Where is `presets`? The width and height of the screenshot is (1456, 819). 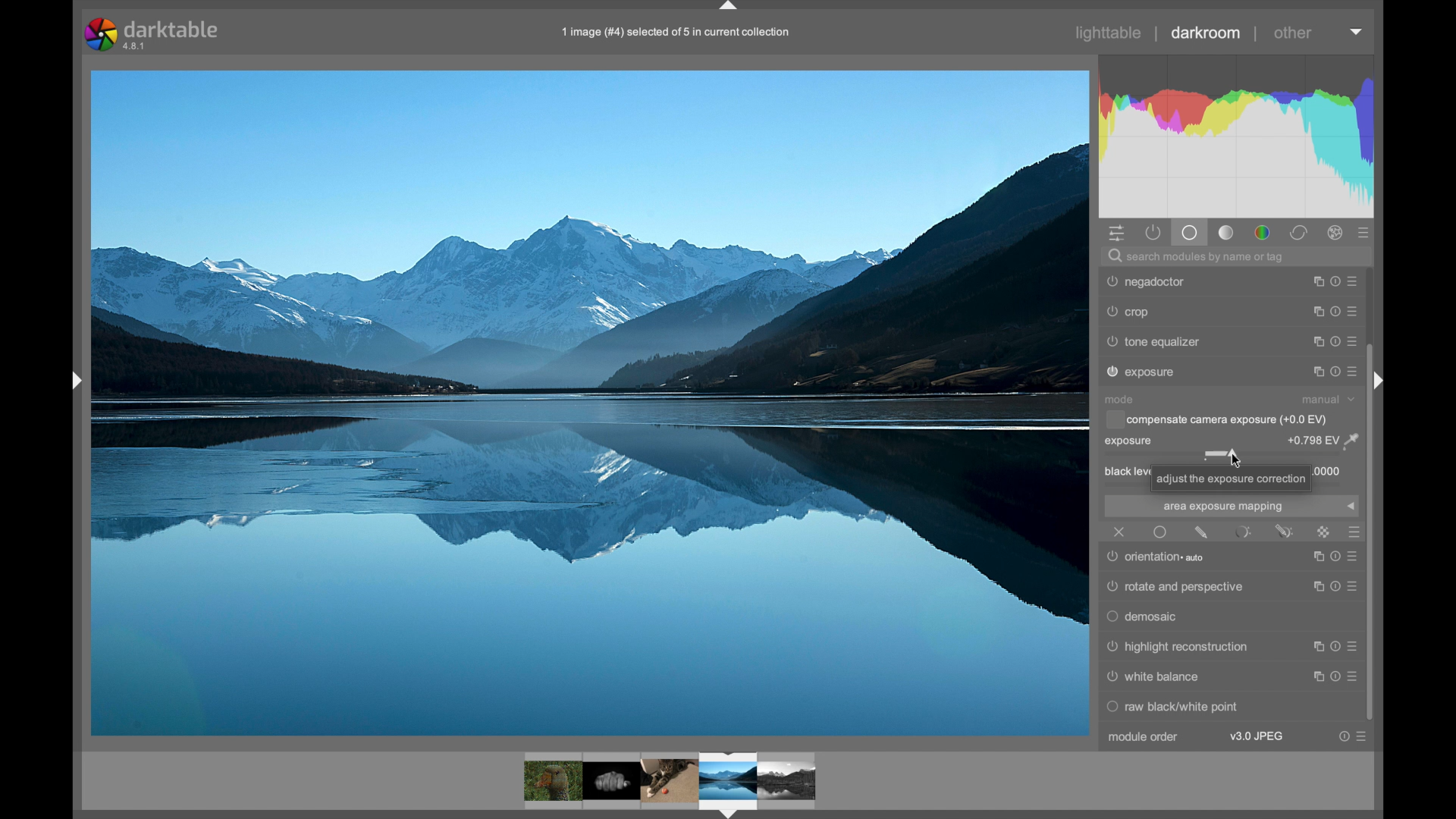 presets is located at coordinates (1364, 234).